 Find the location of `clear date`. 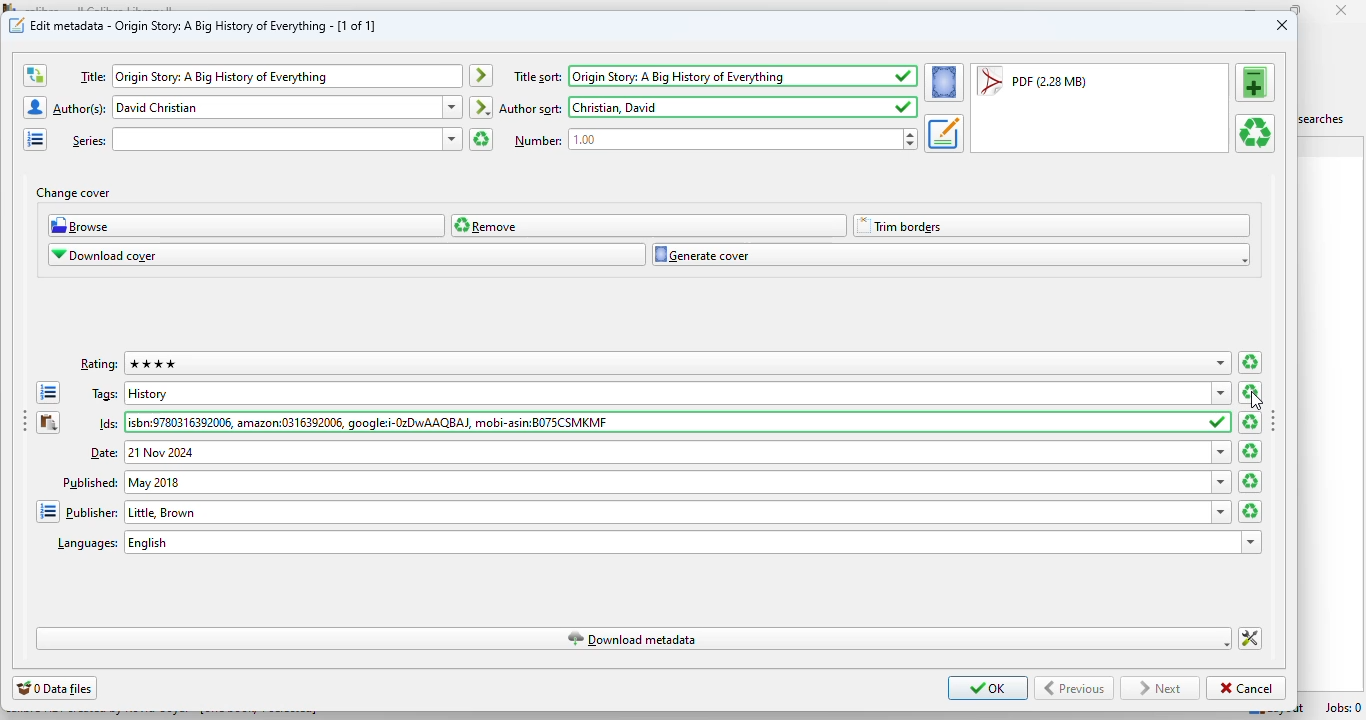

clear date is located at coordinates (1250, 451).